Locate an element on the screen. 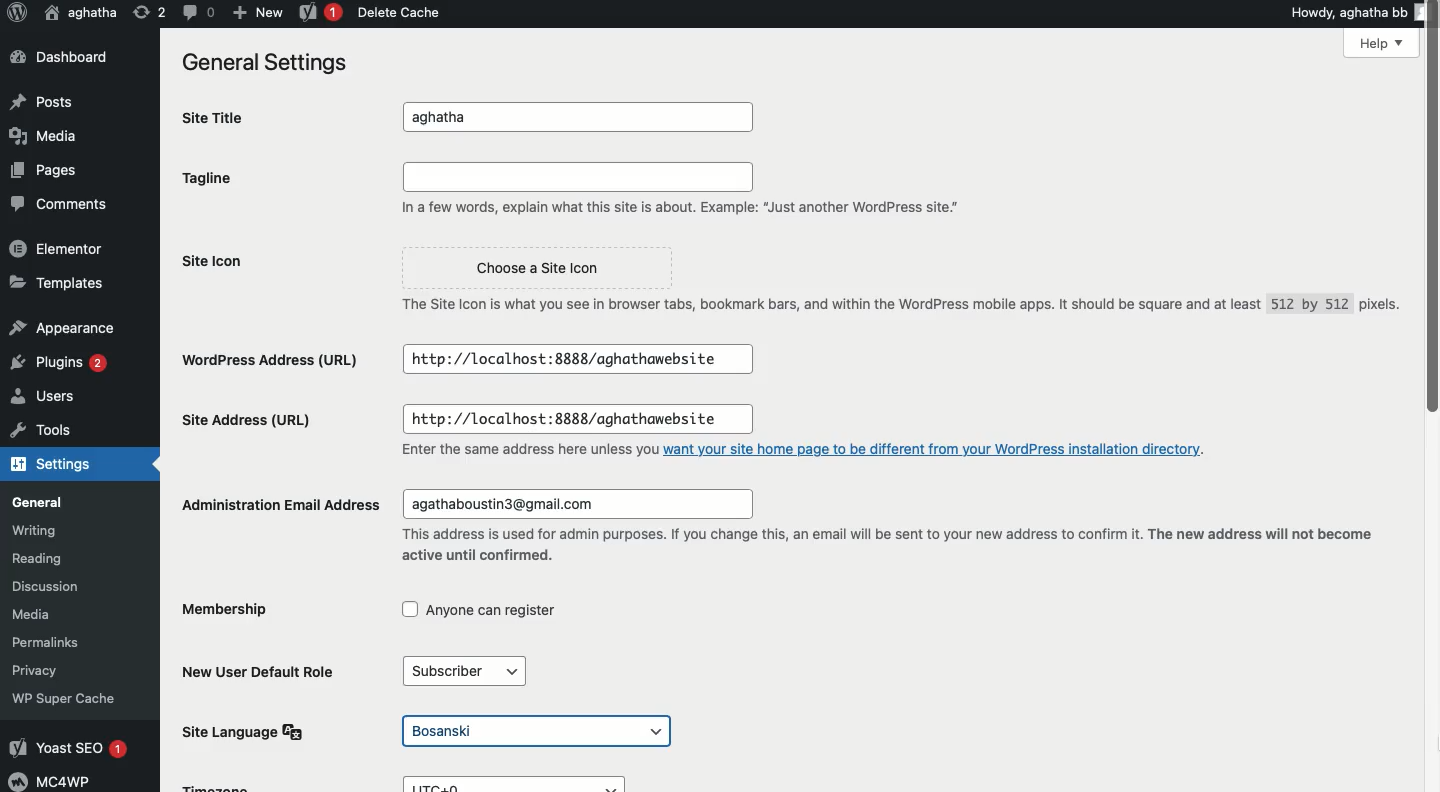 The width and height of the screenshot is (1440, 792). Tagline is located at coordinates (214, 178).